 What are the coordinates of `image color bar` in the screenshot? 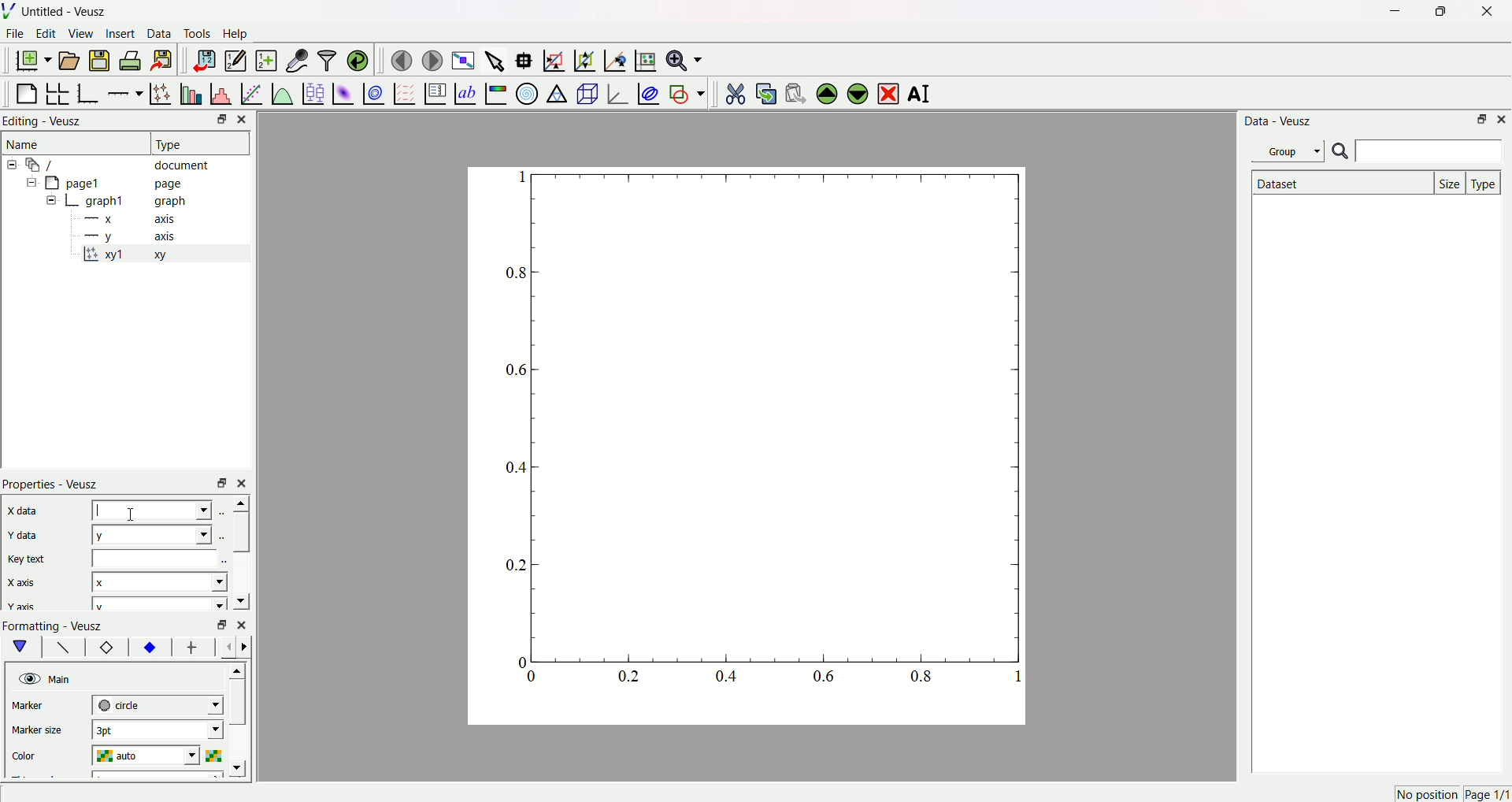 It's located at (495, 93).